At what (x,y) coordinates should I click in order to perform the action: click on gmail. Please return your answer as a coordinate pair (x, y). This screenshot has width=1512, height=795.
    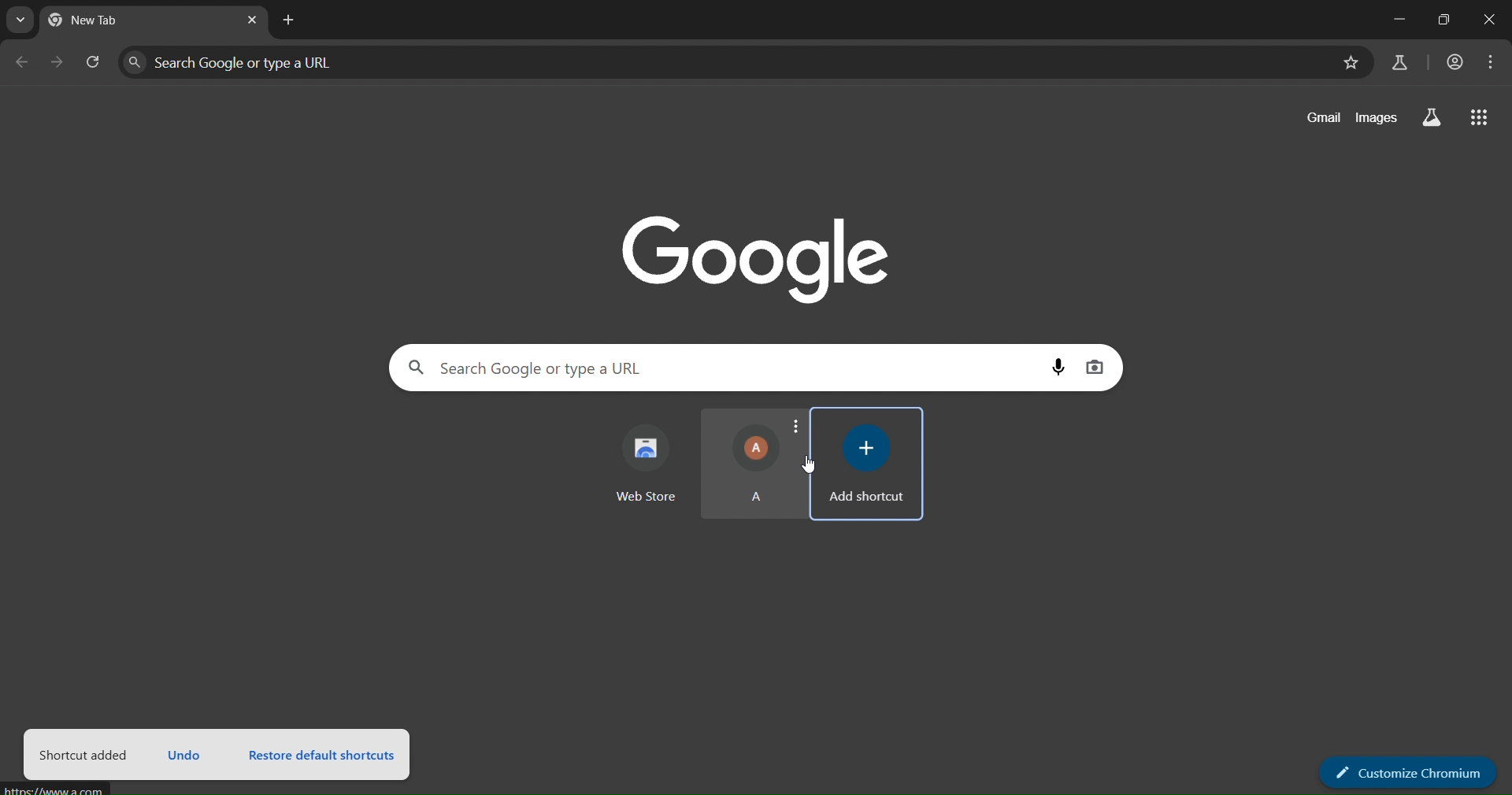
    Looking at the image, I should click on (1325, 117).